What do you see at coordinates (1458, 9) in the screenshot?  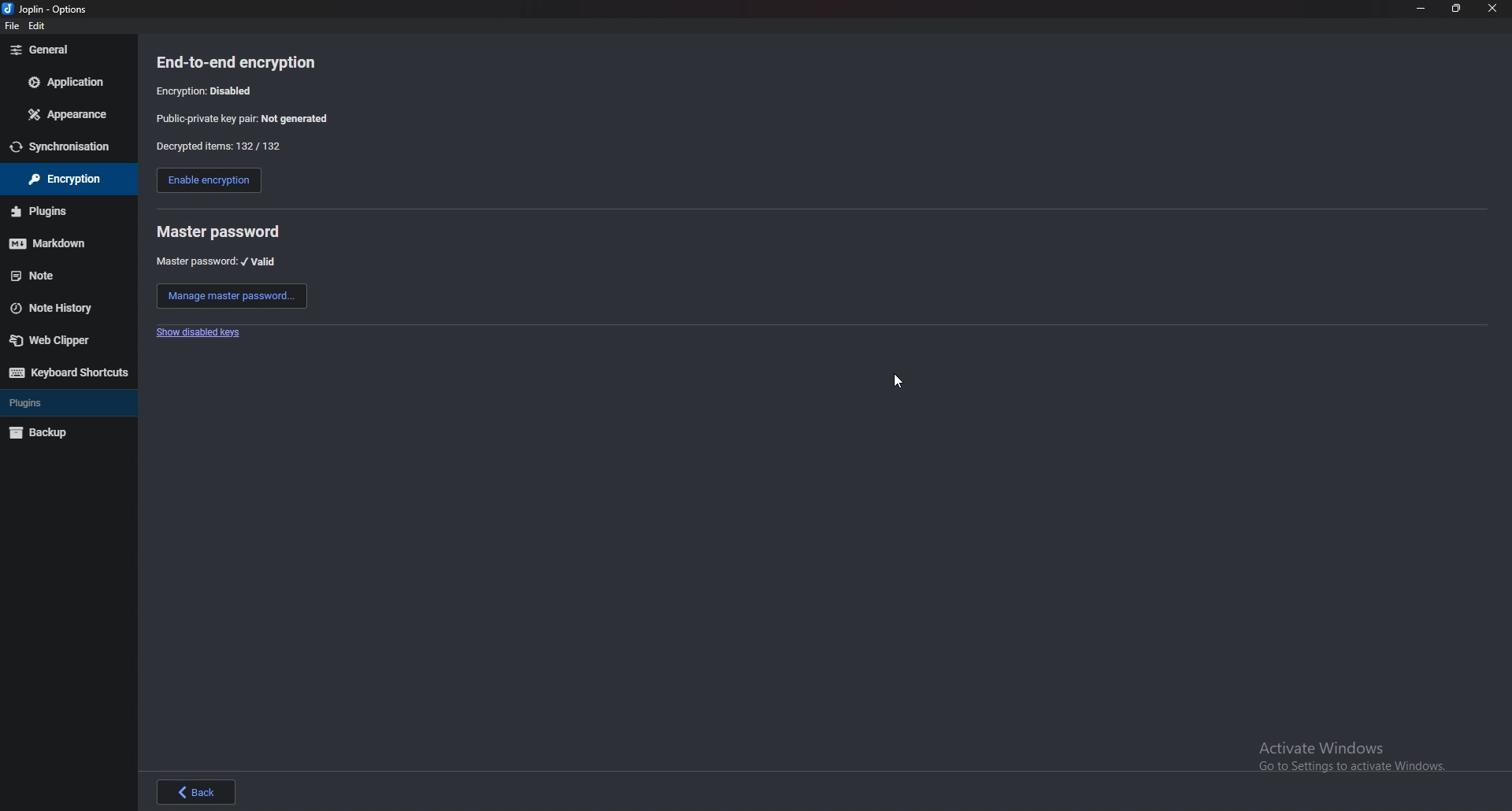 I see `resize` at bounding box center [1458, 9].